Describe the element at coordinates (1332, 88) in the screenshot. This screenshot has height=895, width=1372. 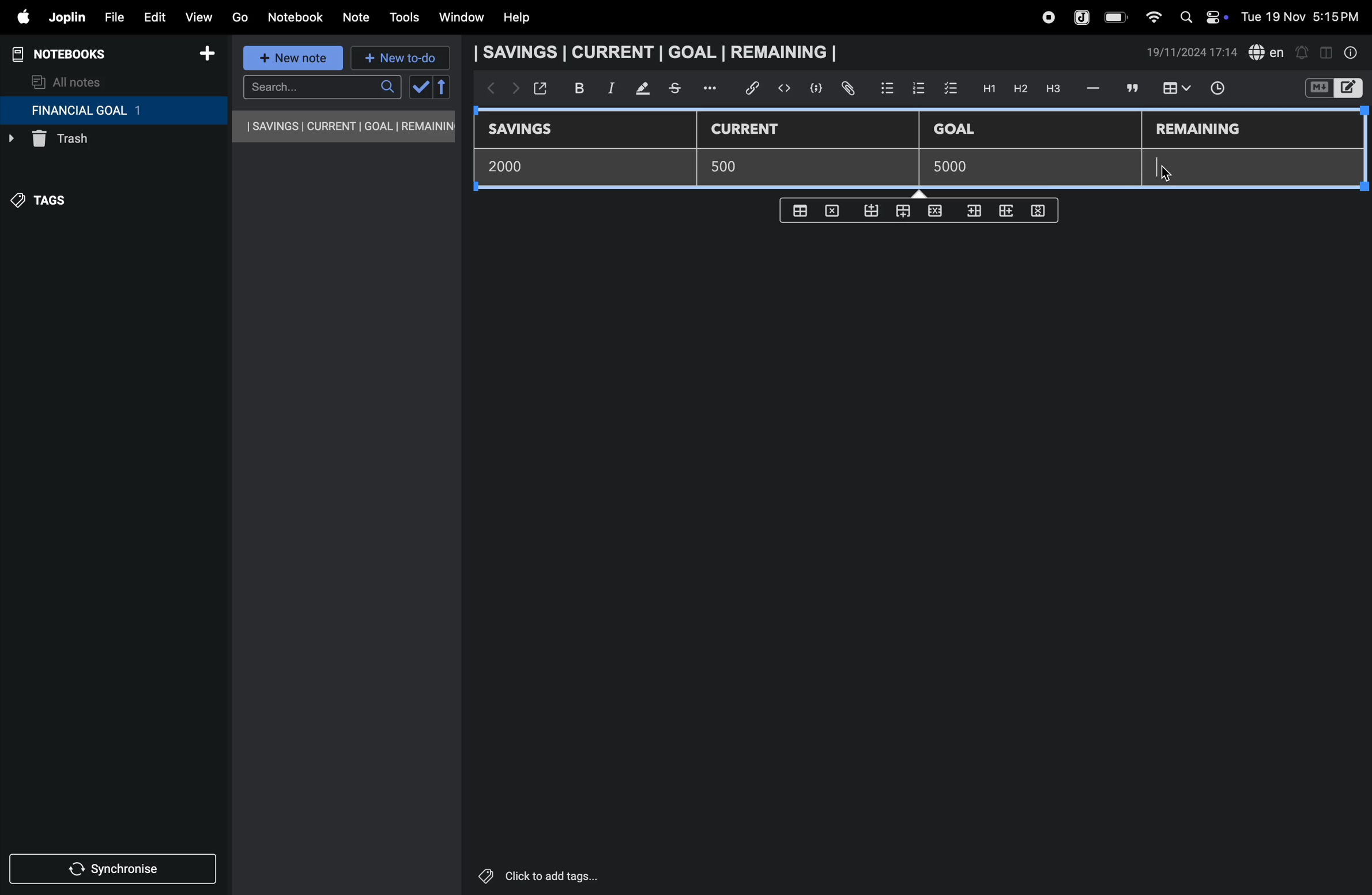
I see `switch editor` at that location.